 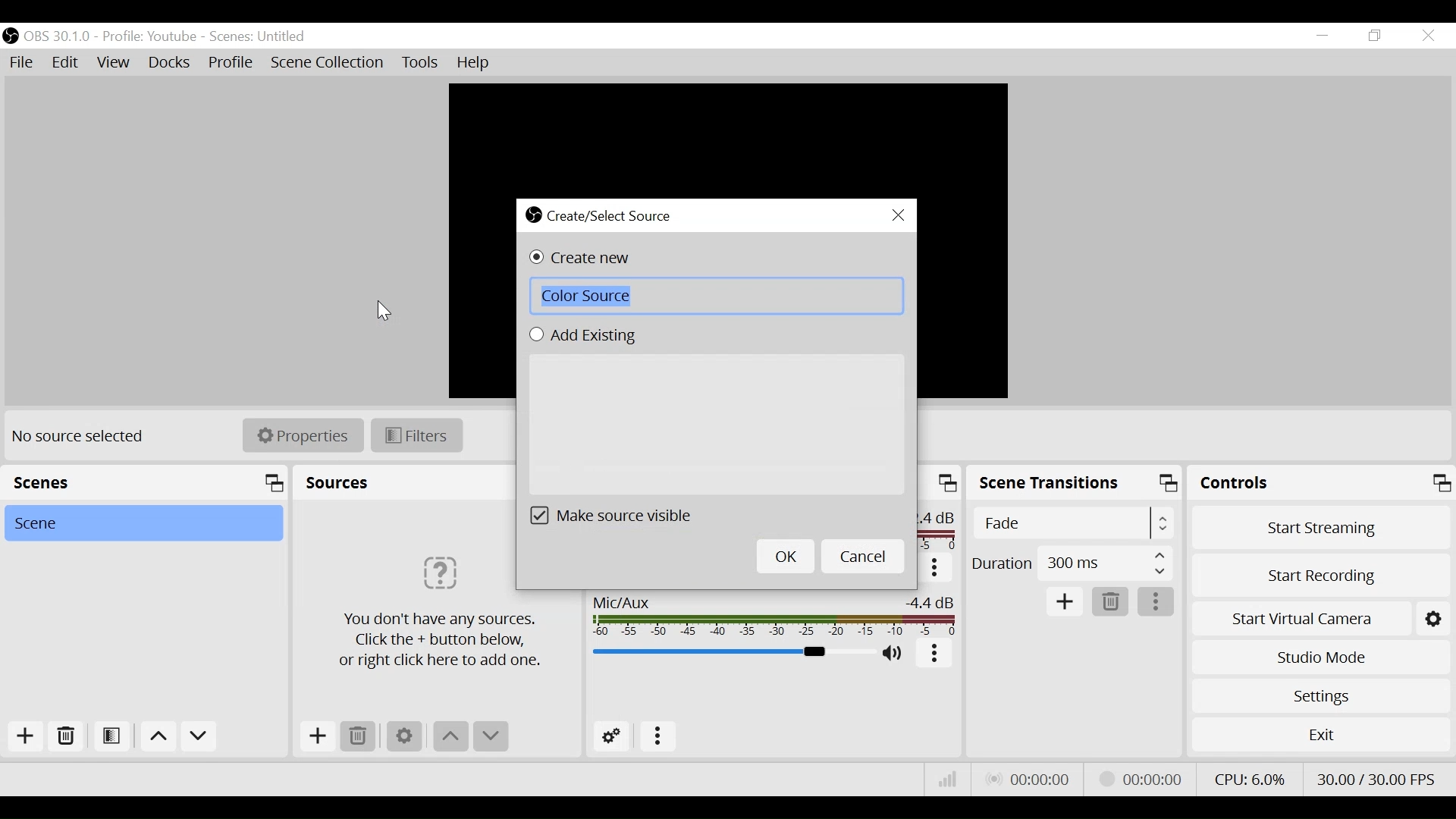 What do you see at coordinates (612, 736) in the screenshot?
I see `Advanced Audio Settings` at bounding box center [612, 736].